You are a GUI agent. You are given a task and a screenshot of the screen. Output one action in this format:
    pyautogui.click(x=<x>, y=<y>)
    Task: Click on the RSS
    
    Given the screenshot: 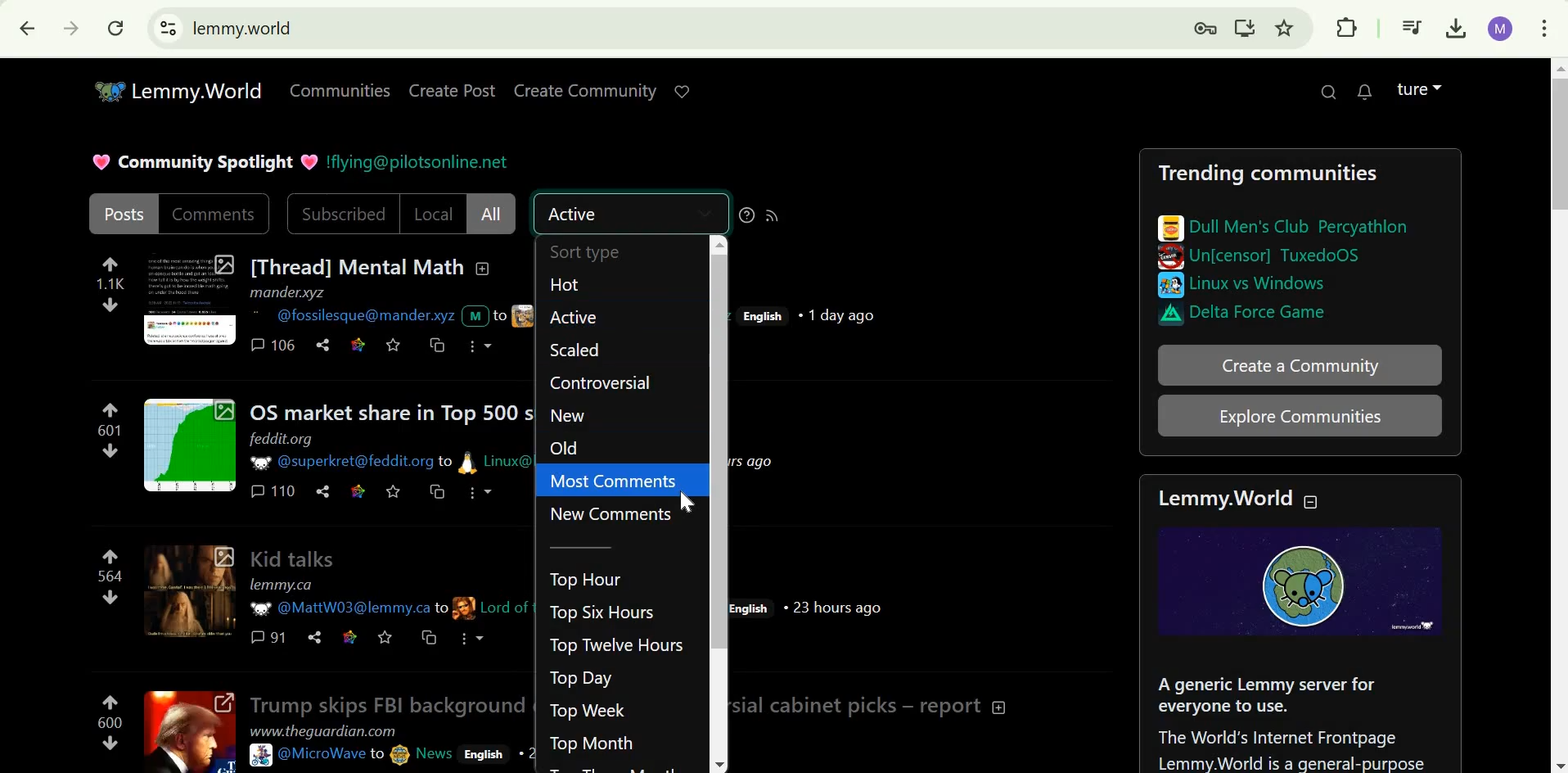 What is the action you would take?
    pyautogui.click(x=772, y=215)
    